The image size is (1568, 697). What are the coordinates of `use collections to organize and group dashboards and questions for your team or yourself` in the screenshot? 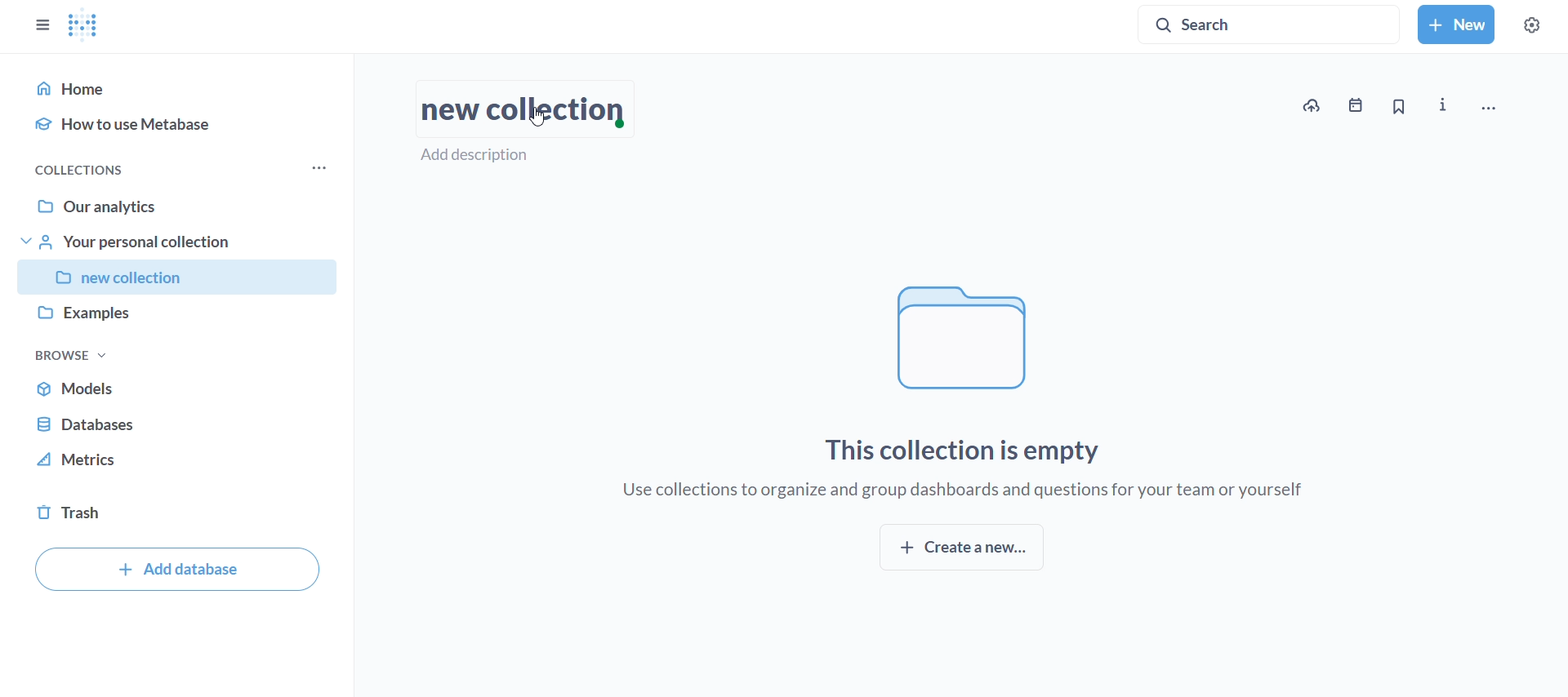 It's located at (966, 491).